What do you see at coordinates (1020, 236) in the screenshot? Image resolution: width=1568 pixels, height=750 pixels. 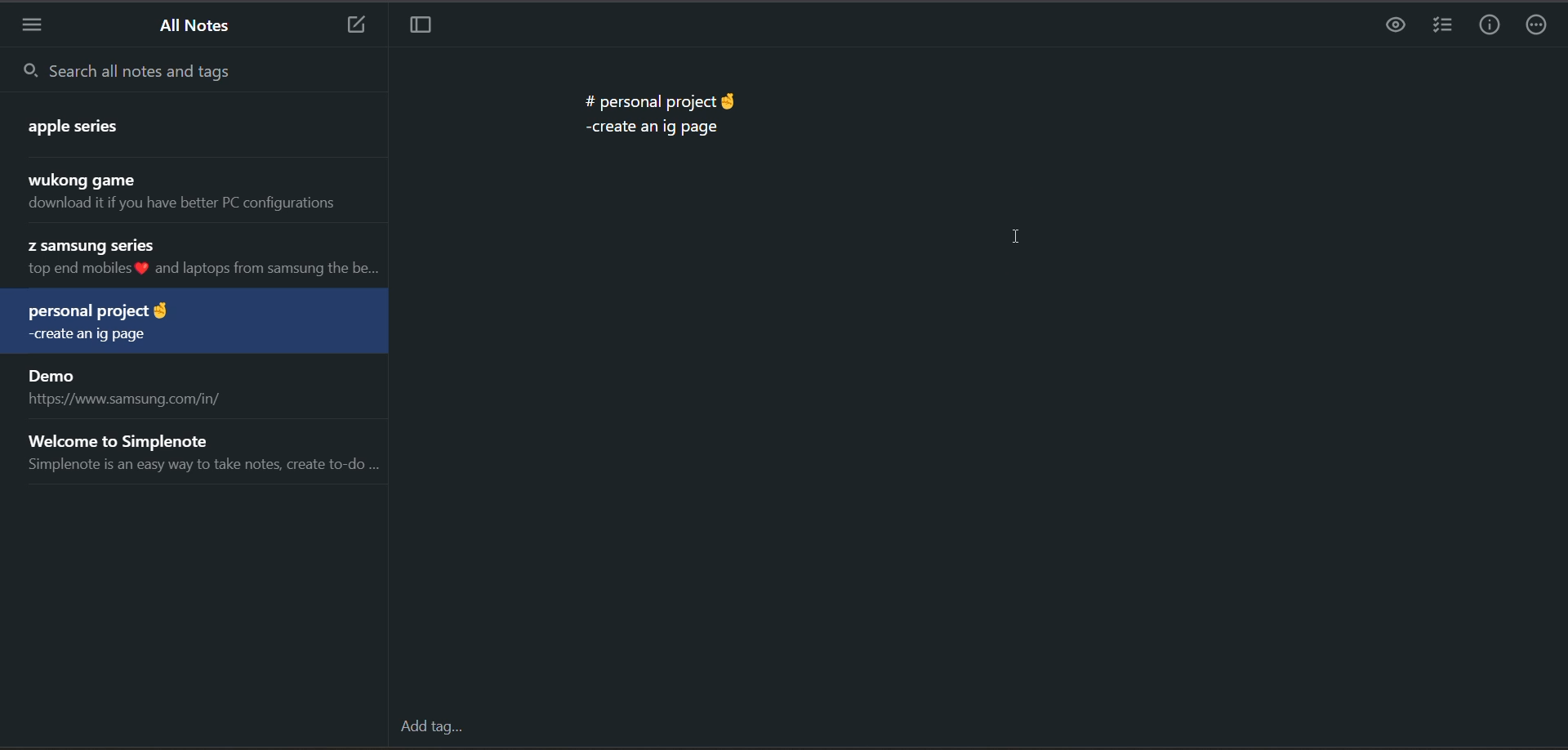 I see `cursor` at bounding box center [1020, 236].